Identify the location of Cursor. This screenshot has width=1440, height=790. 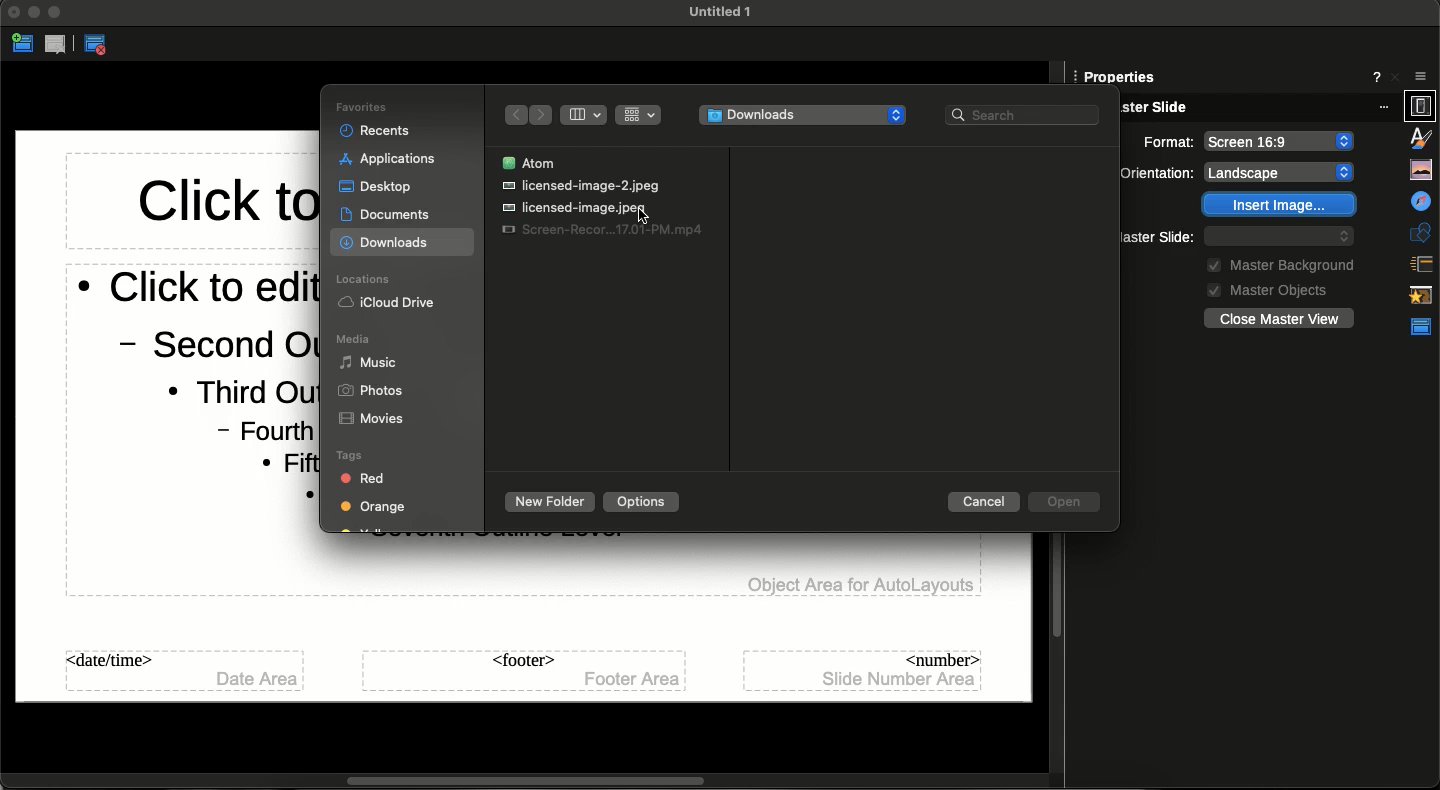
(644, 216).